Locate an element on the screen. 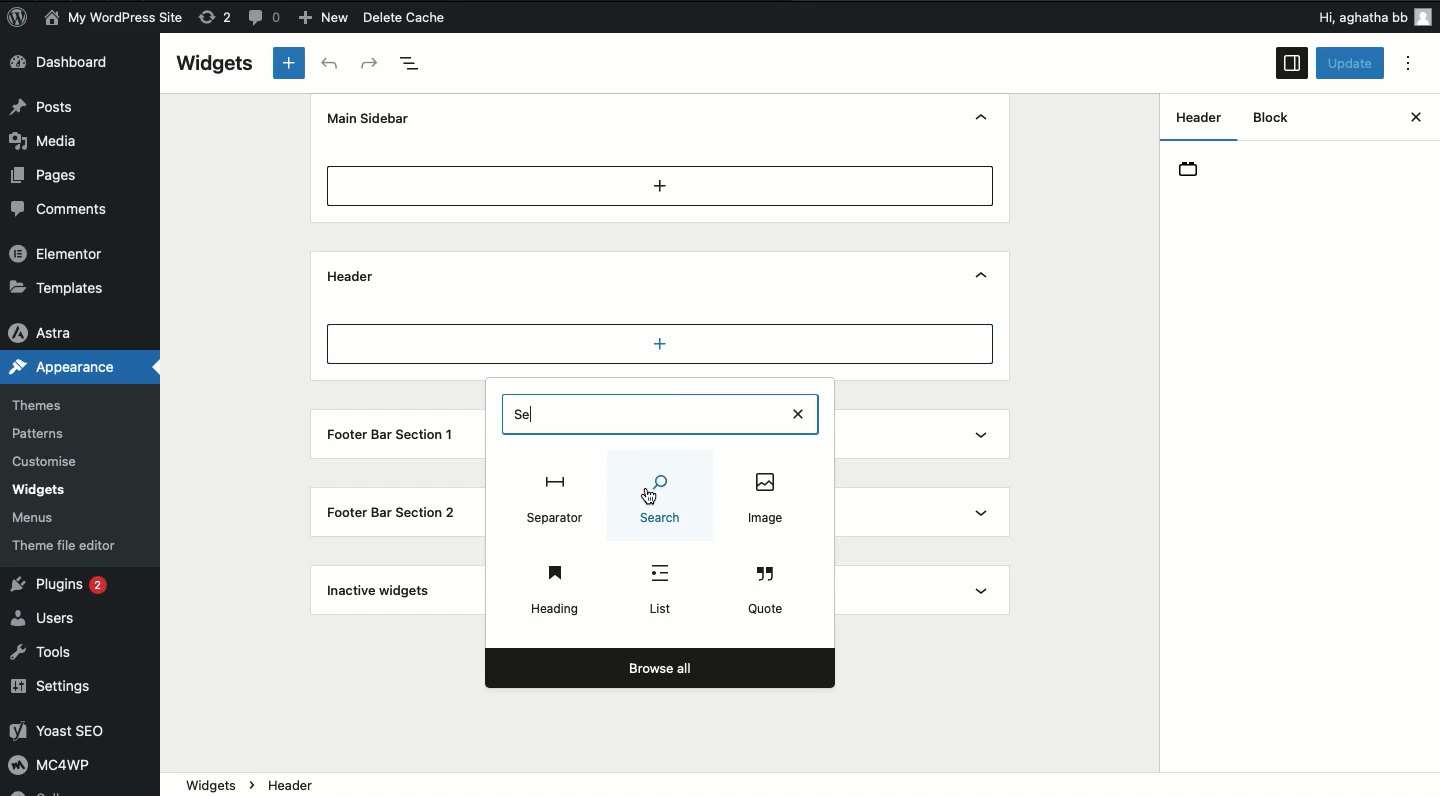 Image resolution: width=1440 pixels, height=796 pixels. Footer bar section 2 is located at coordinates (391, 512).